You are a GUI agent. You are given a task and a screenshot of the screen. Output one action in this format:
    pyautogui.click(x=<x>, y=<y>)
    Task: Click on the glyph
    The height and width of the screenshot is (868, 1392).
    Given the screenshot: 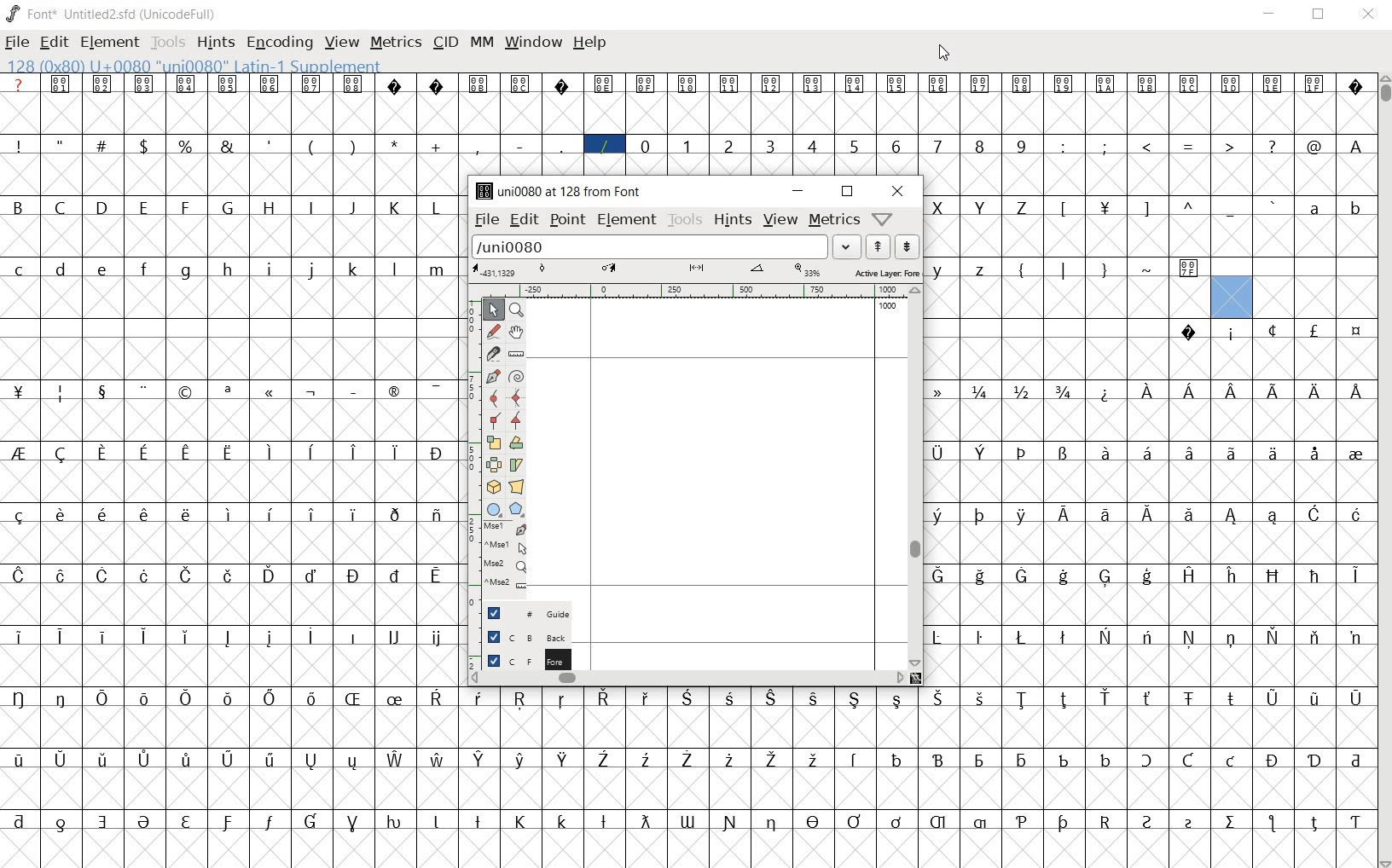 What is the action you would take?
    pyautogui.click(x=478, y=84)
    